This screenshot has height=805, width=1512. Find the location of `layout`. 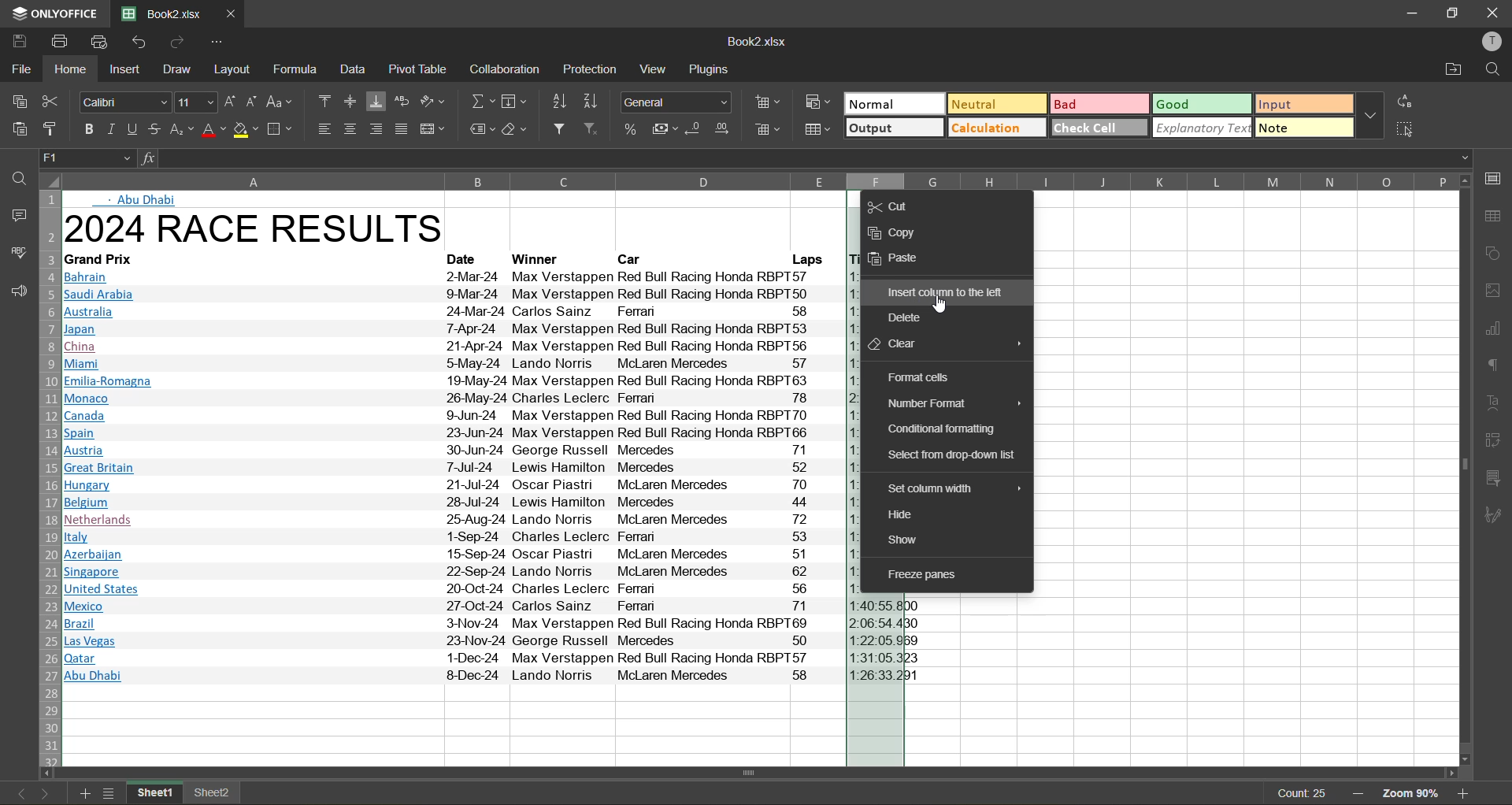

layout is located at coordinates (232, 69).